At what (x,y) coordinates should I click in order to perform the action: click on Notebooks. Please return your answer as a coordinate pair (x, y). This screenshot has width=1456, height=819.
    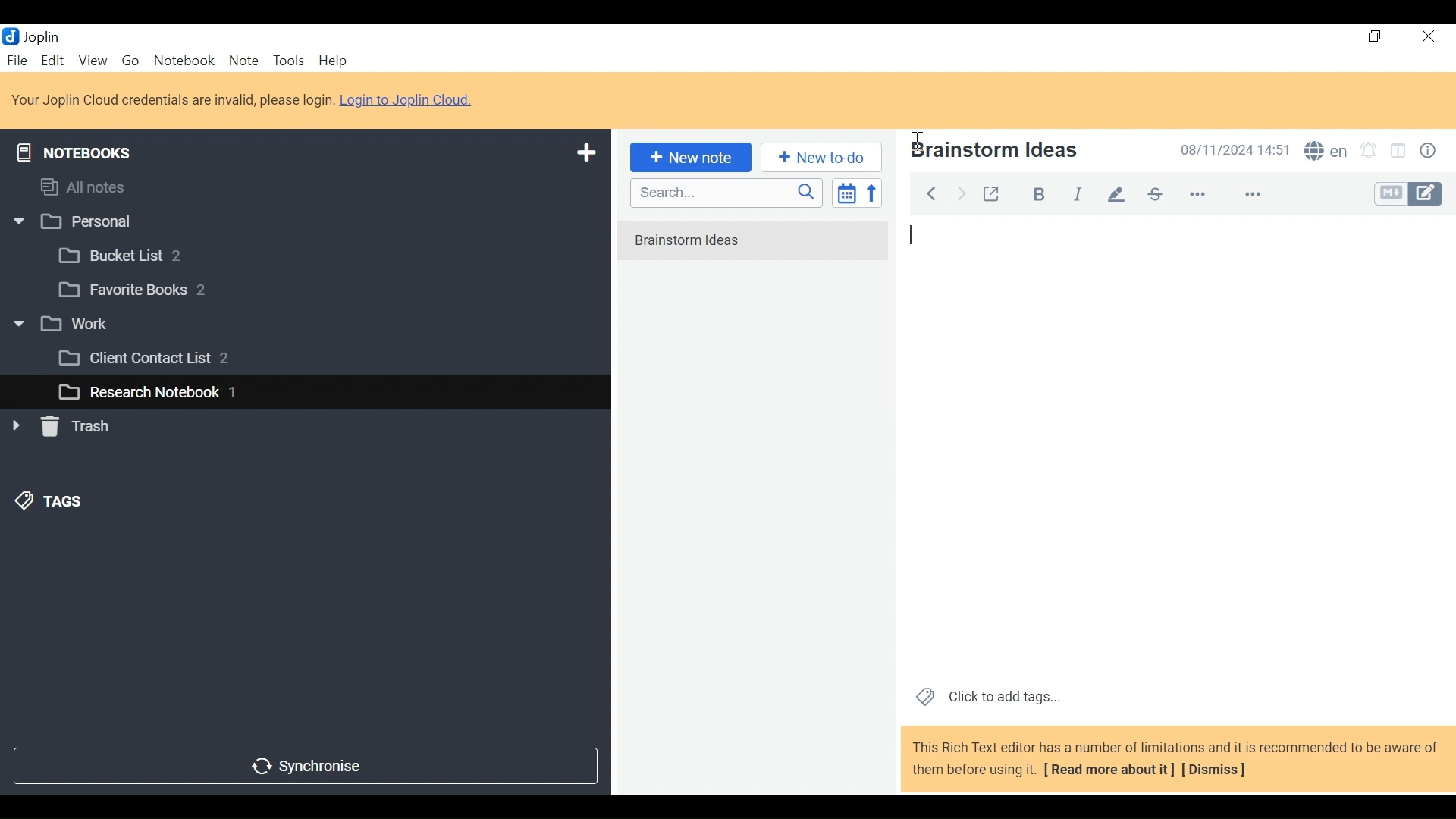
    Looking at the image, I should click on (85, 149).